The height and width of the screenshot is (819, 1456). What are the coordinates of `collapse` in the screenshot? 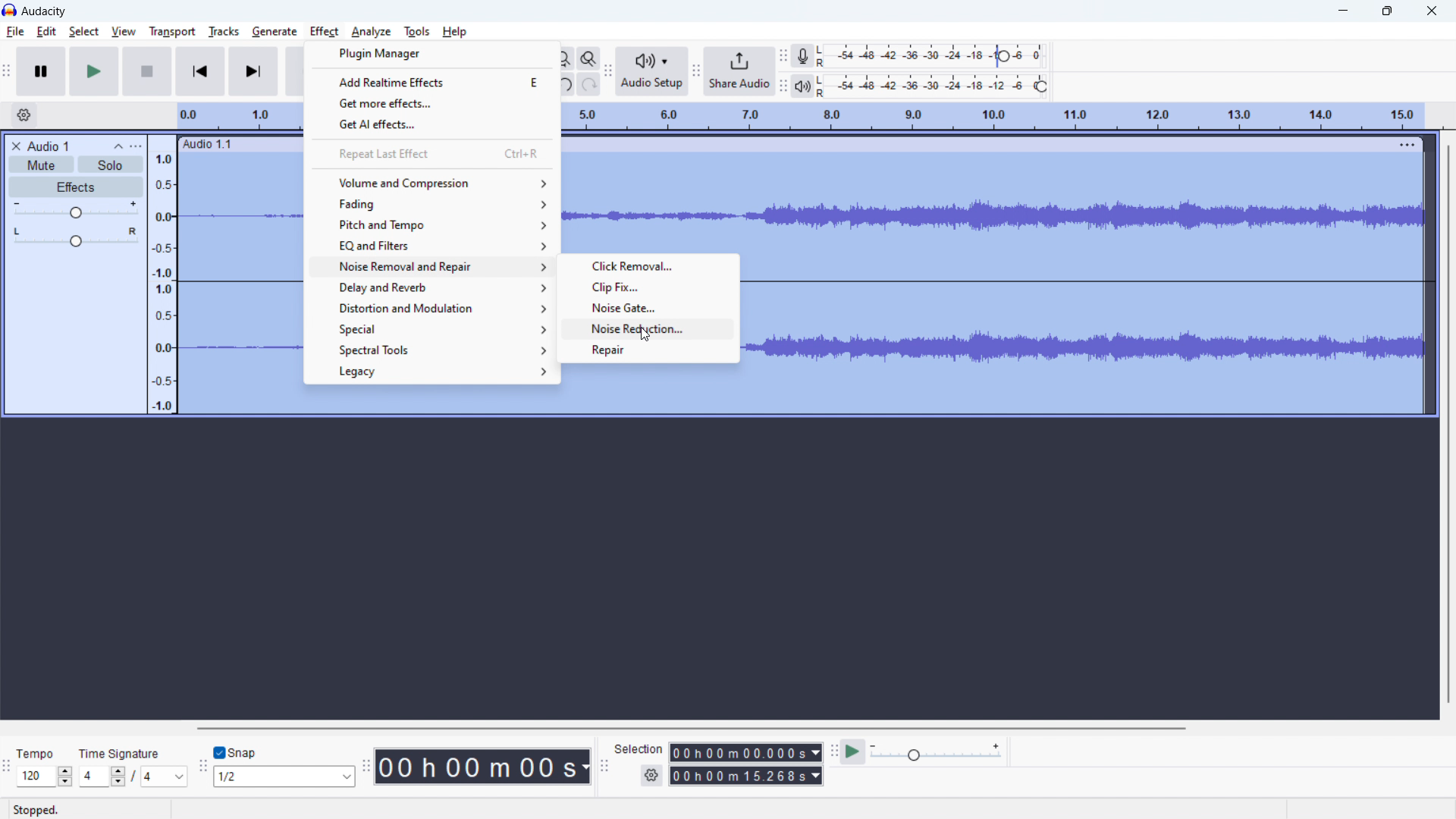 It's located at (117, 146).